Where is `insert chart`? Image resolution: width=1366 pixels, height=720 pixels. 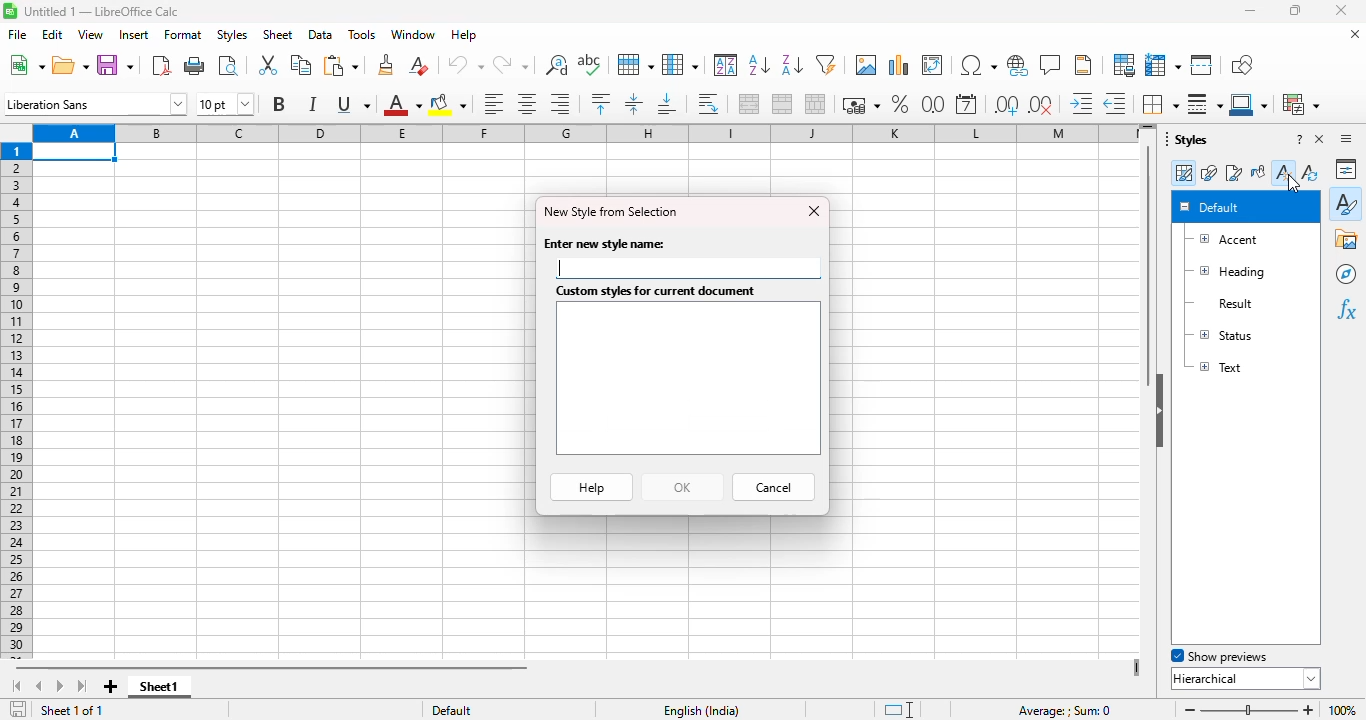
insert chart is located at coordinates (899, 65).